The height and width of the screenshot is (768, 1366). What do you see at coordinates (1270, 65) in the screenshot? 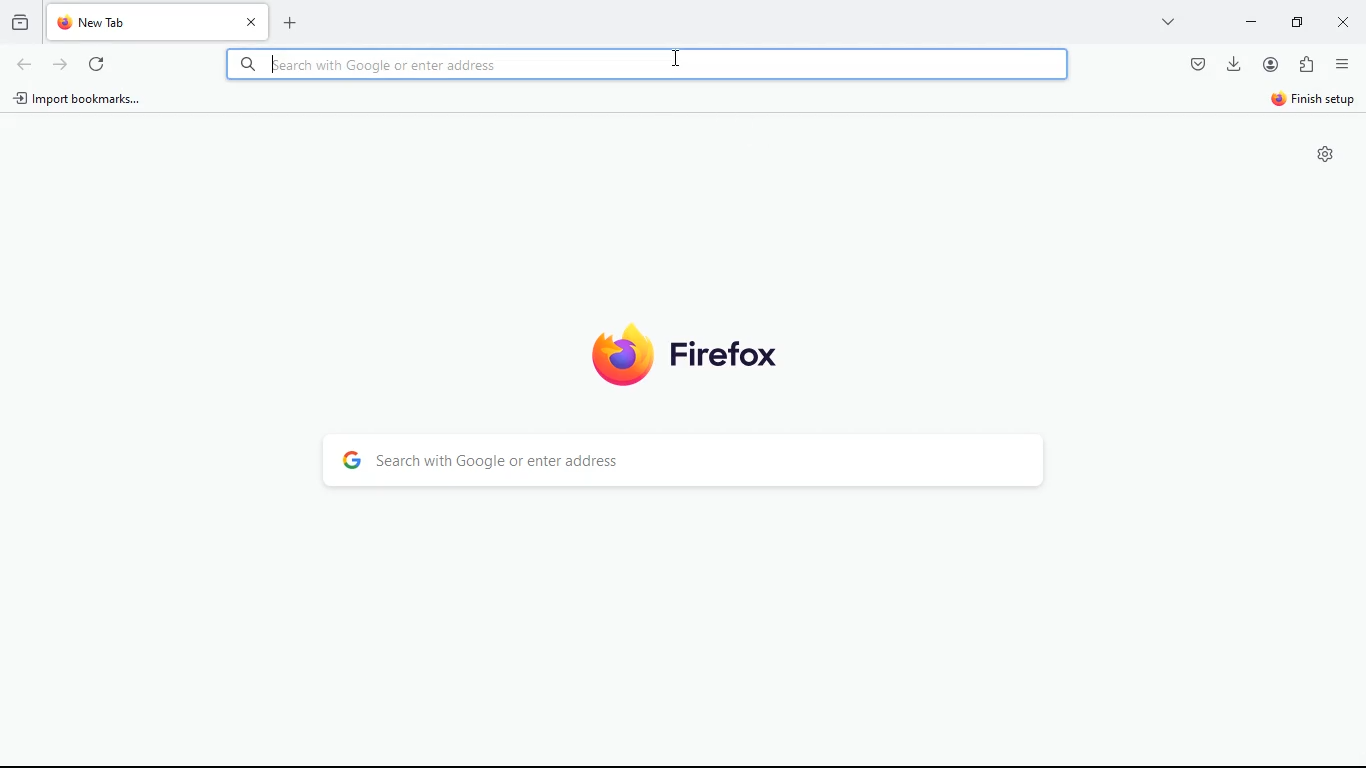
I see `profile` at bounding box center [1270, 65].